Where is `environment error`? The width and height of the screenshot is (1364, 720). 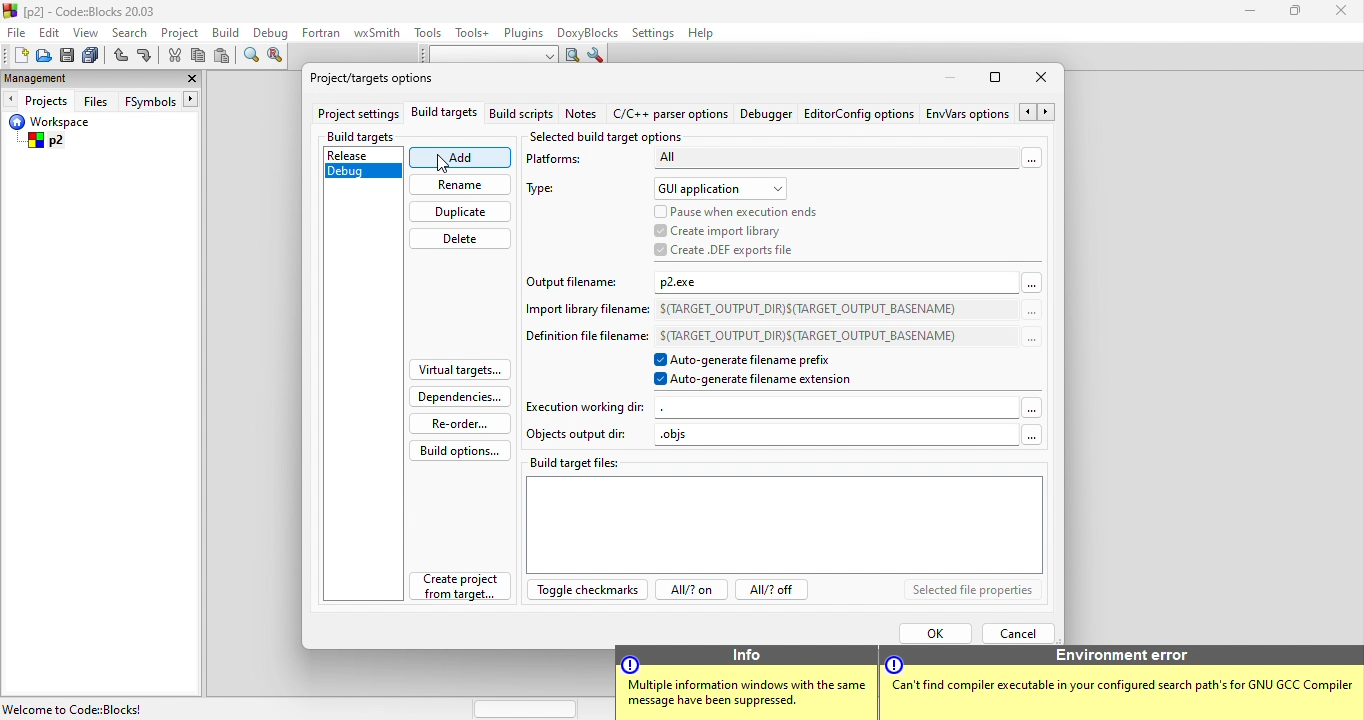 environment error is located at coordinates (1123, 682).